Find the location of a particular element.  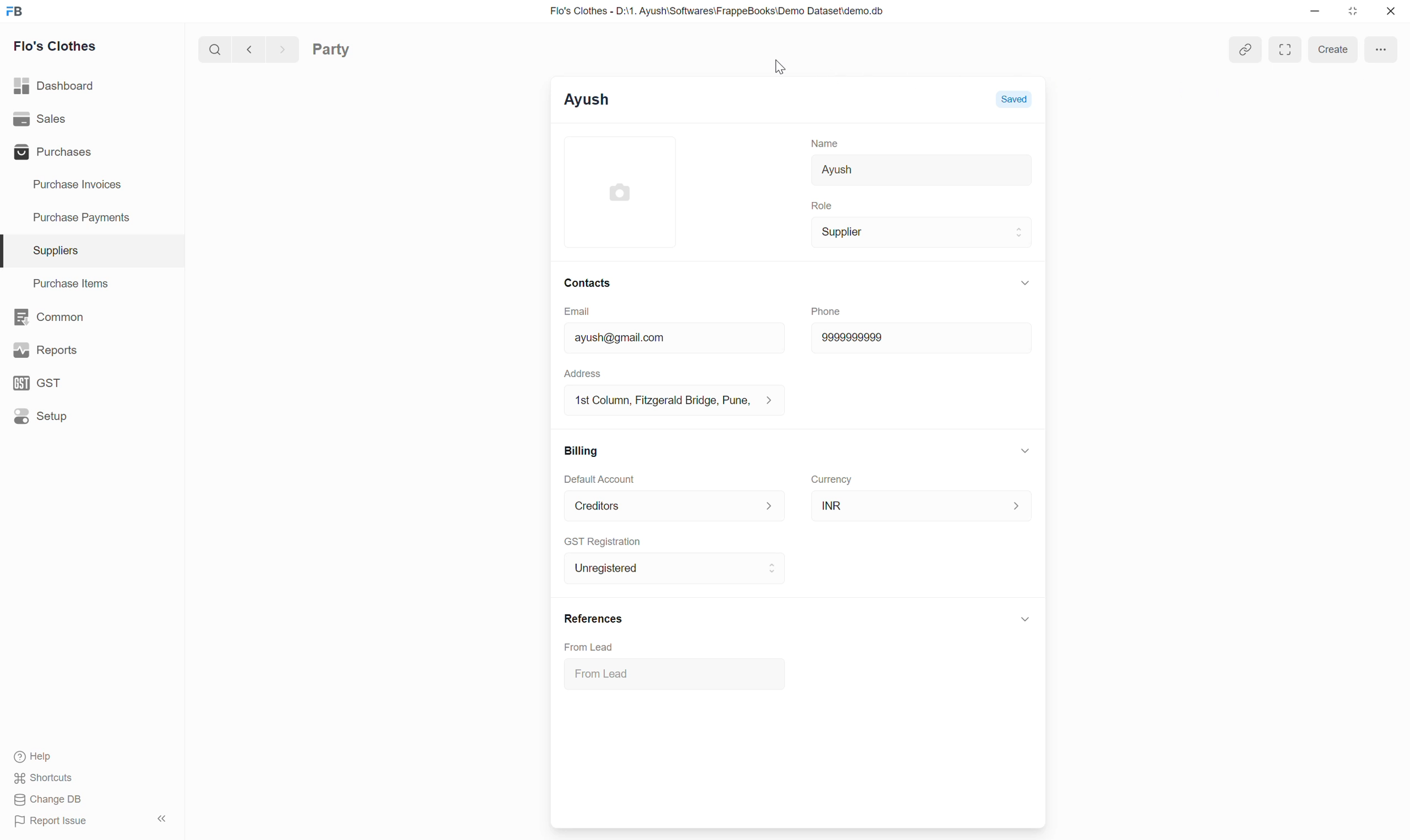

Click to collapse is located at coordinates (1026, 619).